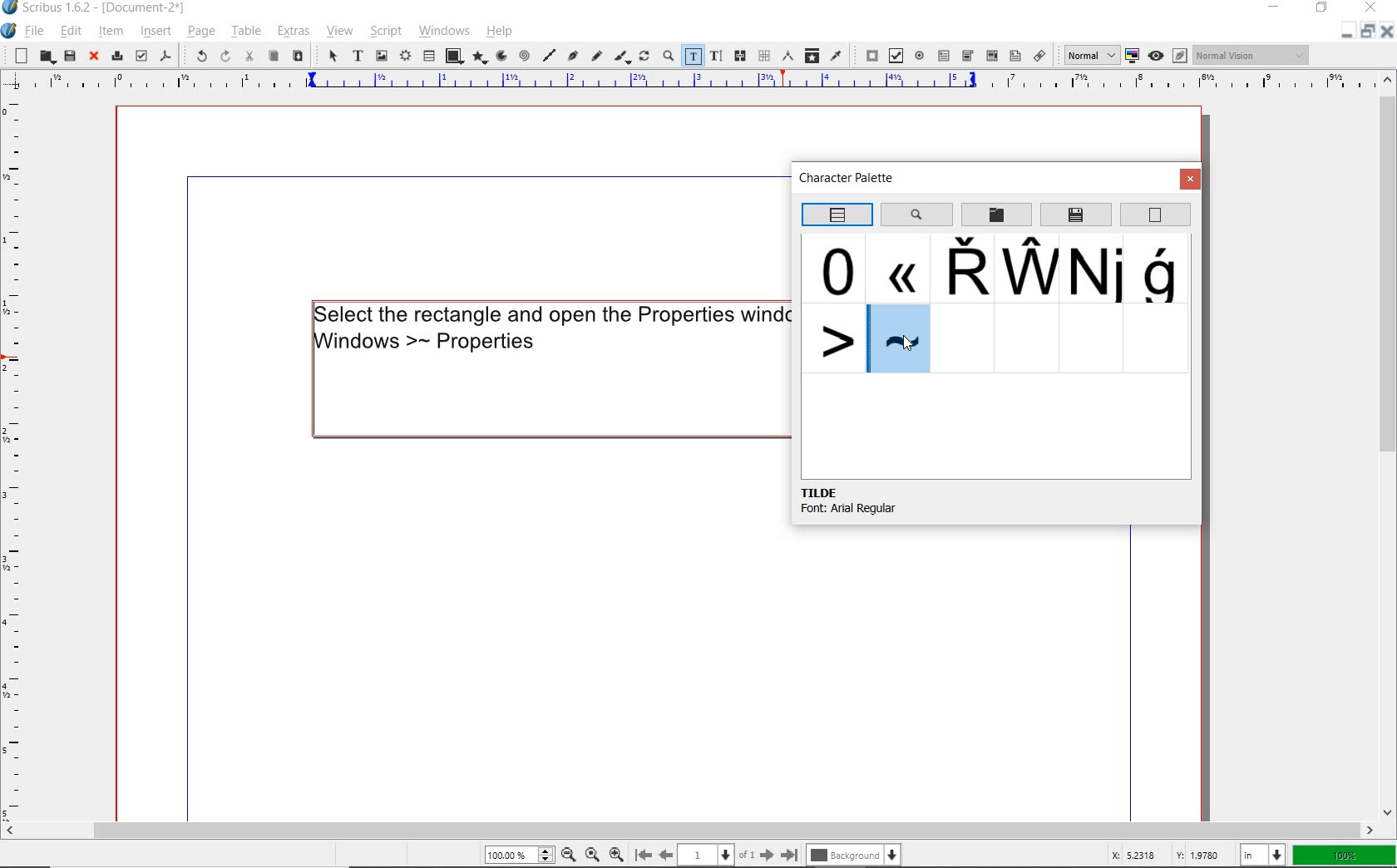  What do you see at coordinates (109, 31) in the screenshot?
I see `item` at bounding box center [109, 31].